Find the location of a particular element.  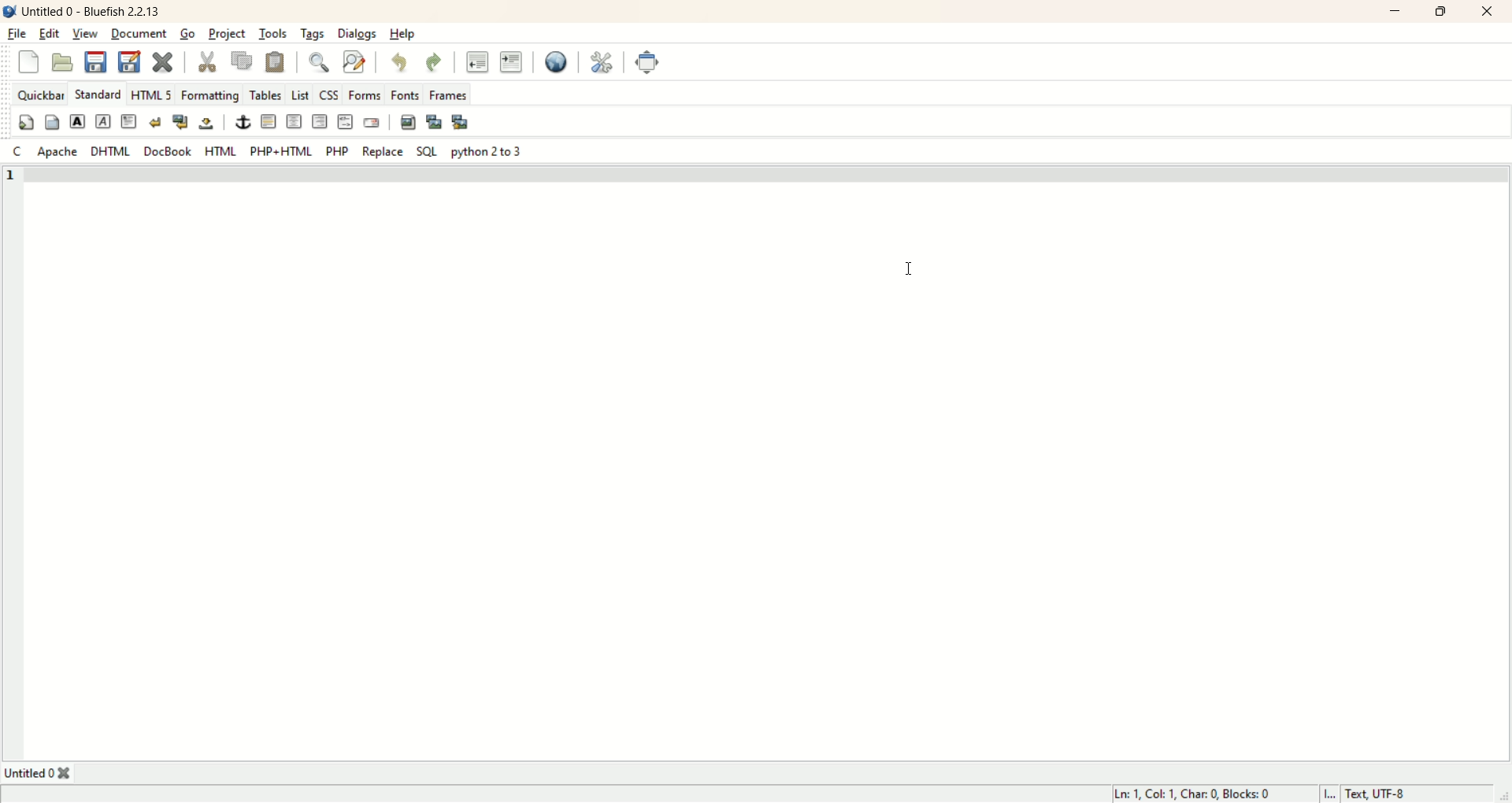

maximize is located at coordinates (1440, 11).